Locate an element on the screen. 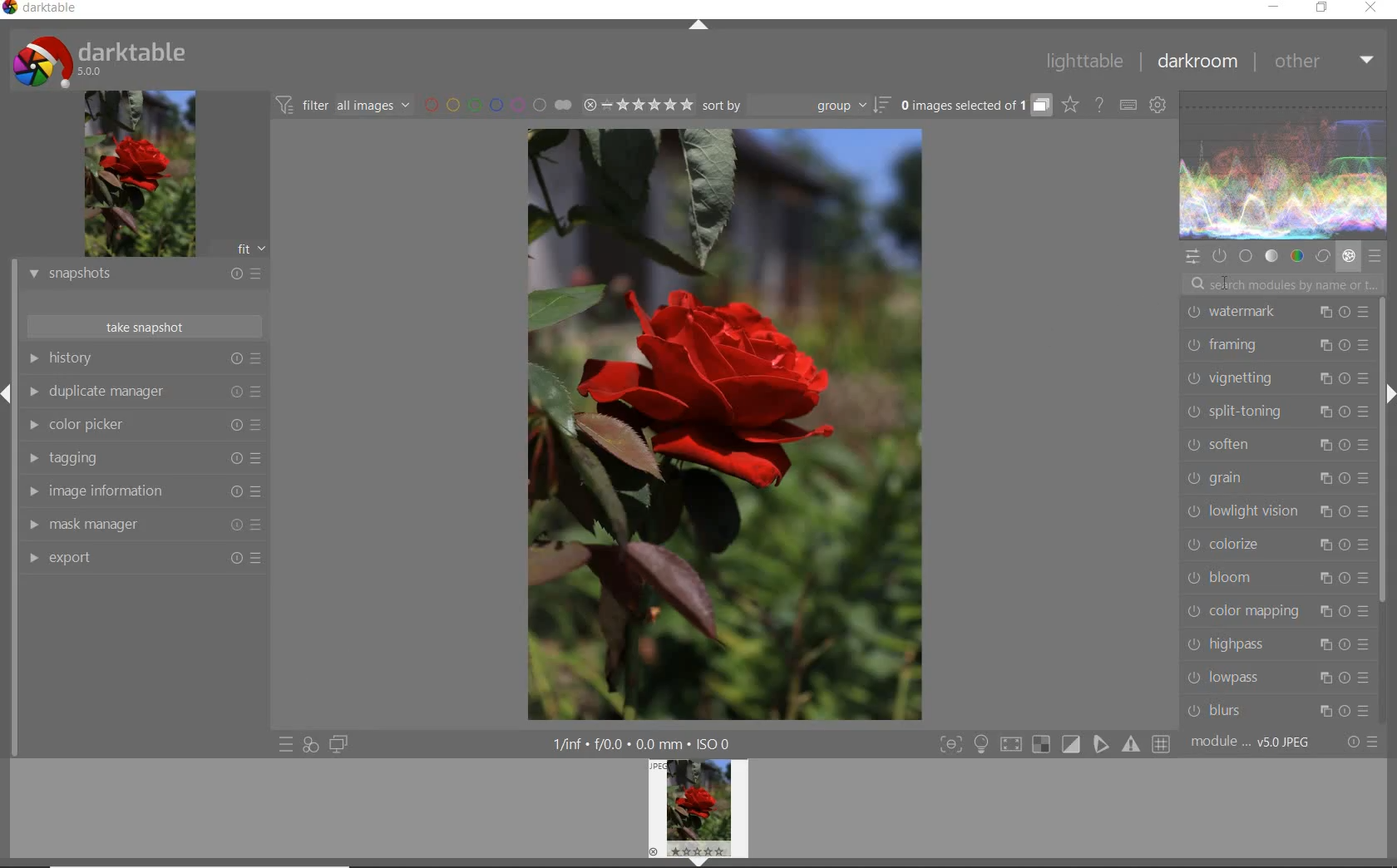 This screenshot has height=868, width=1397. scrollbar is located at coordinates (1382, 452).